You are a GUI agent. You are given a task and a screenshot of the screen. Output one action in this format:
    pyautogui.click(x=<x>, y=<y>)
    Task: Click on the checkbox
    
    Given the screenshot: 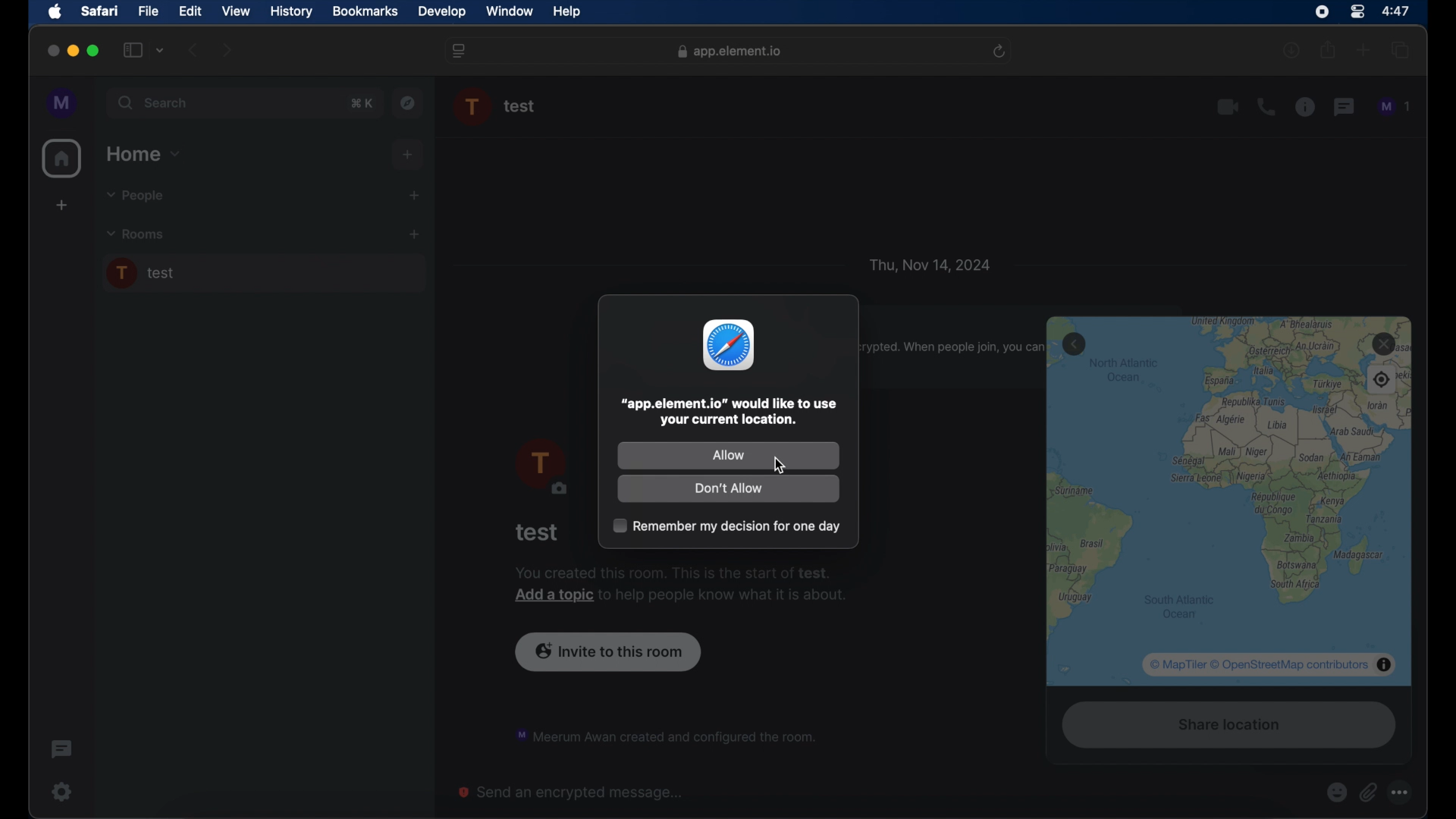 What is the action you would take?
    pyautogui.click(x=725, y=526)
    